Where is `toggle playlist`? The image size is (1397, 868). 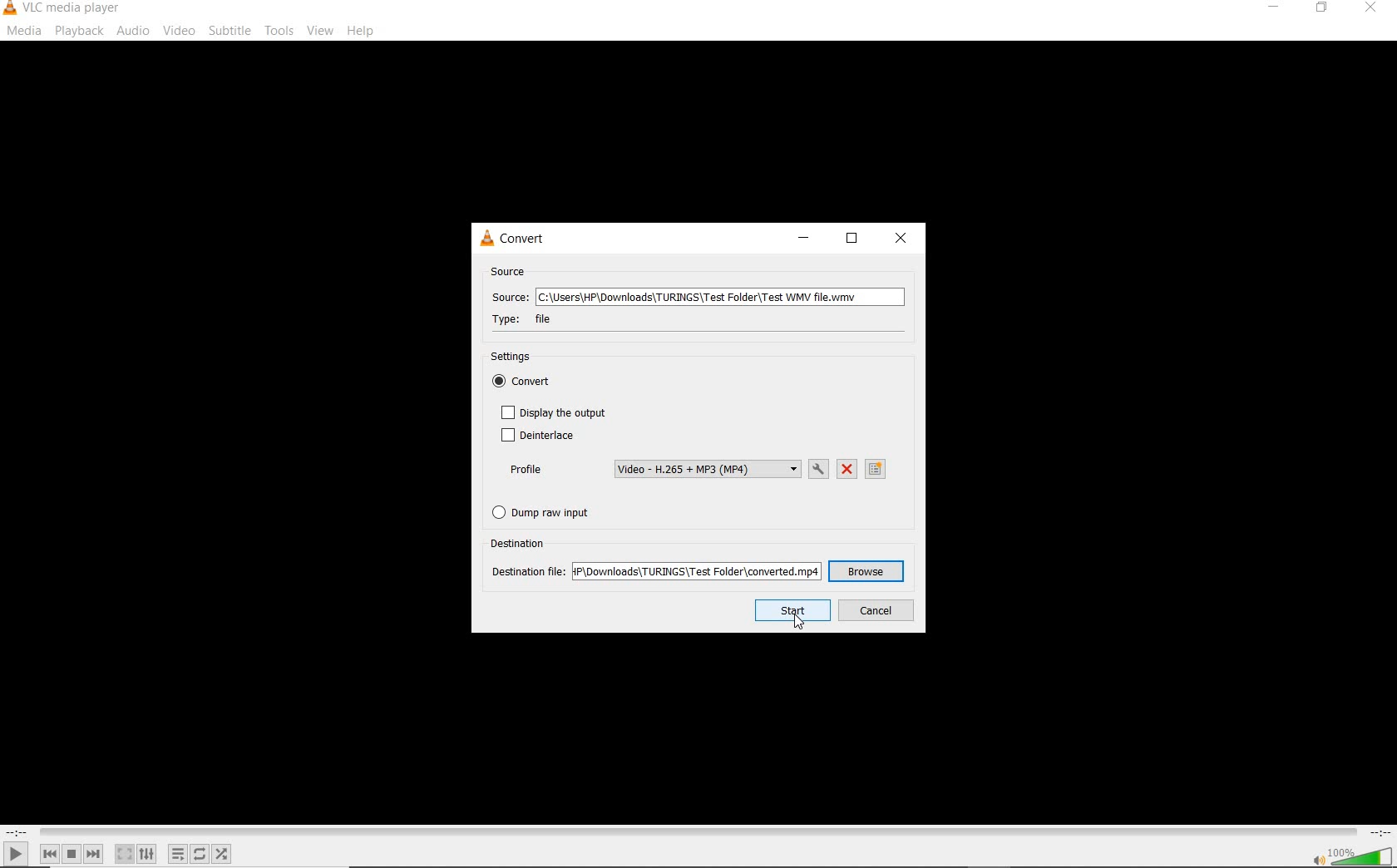 toggle playlist is located at coordinates (178, 854).